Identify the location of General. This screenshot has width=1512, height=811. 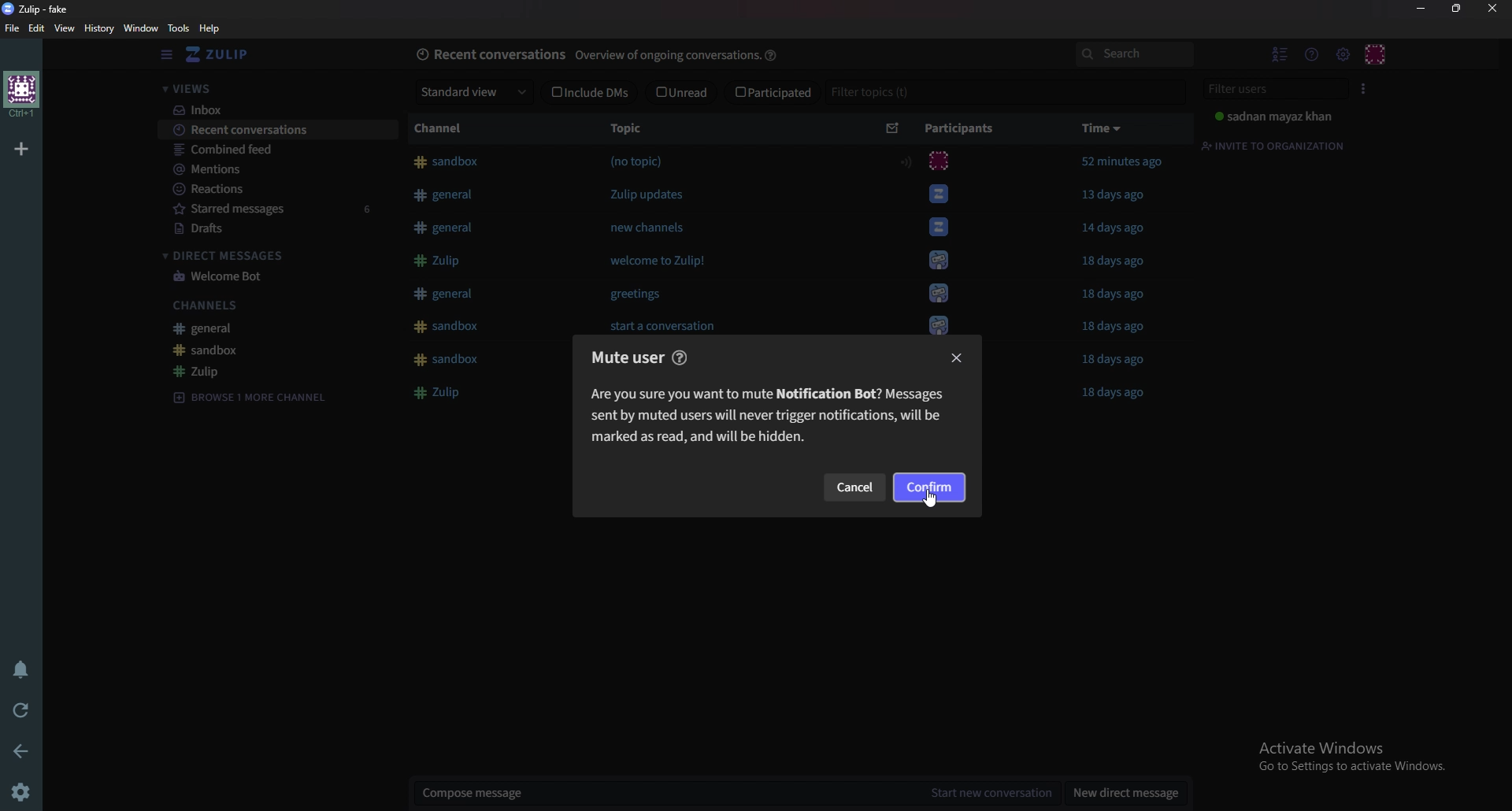
(254, 328).